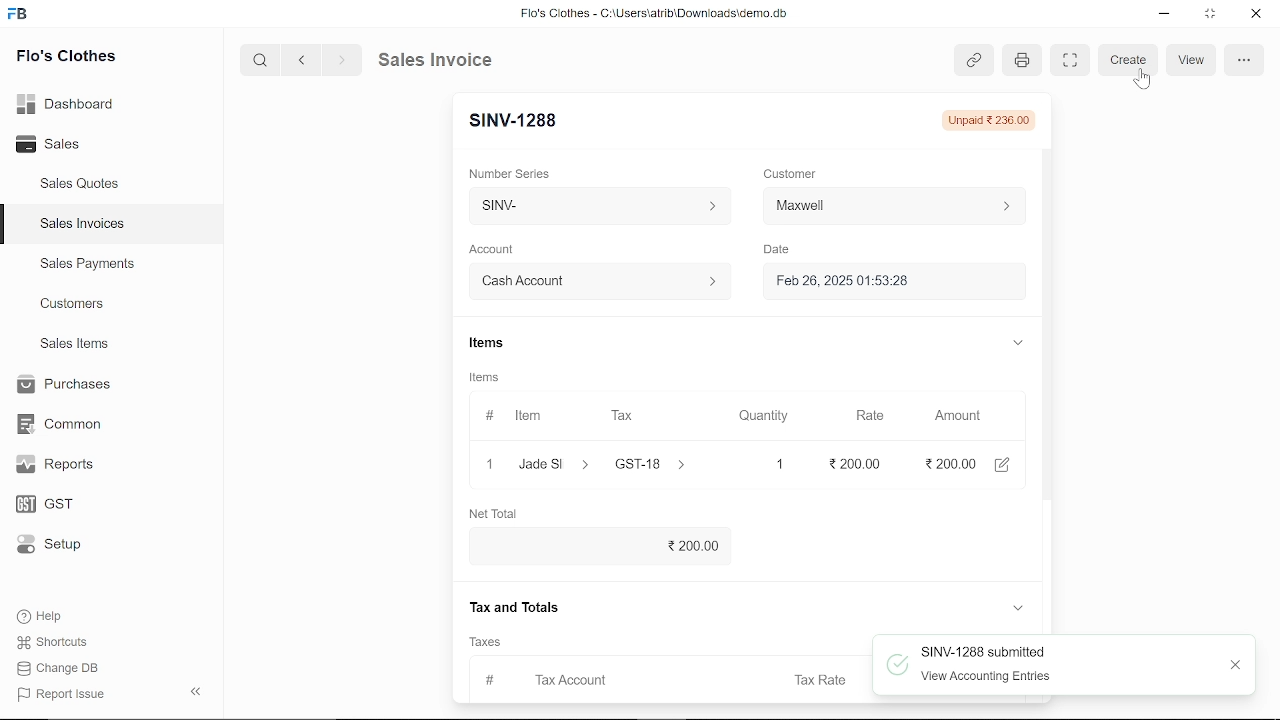  Describe the element at coordinates (1243, 59) in the screenshot. I see `options` at that location.